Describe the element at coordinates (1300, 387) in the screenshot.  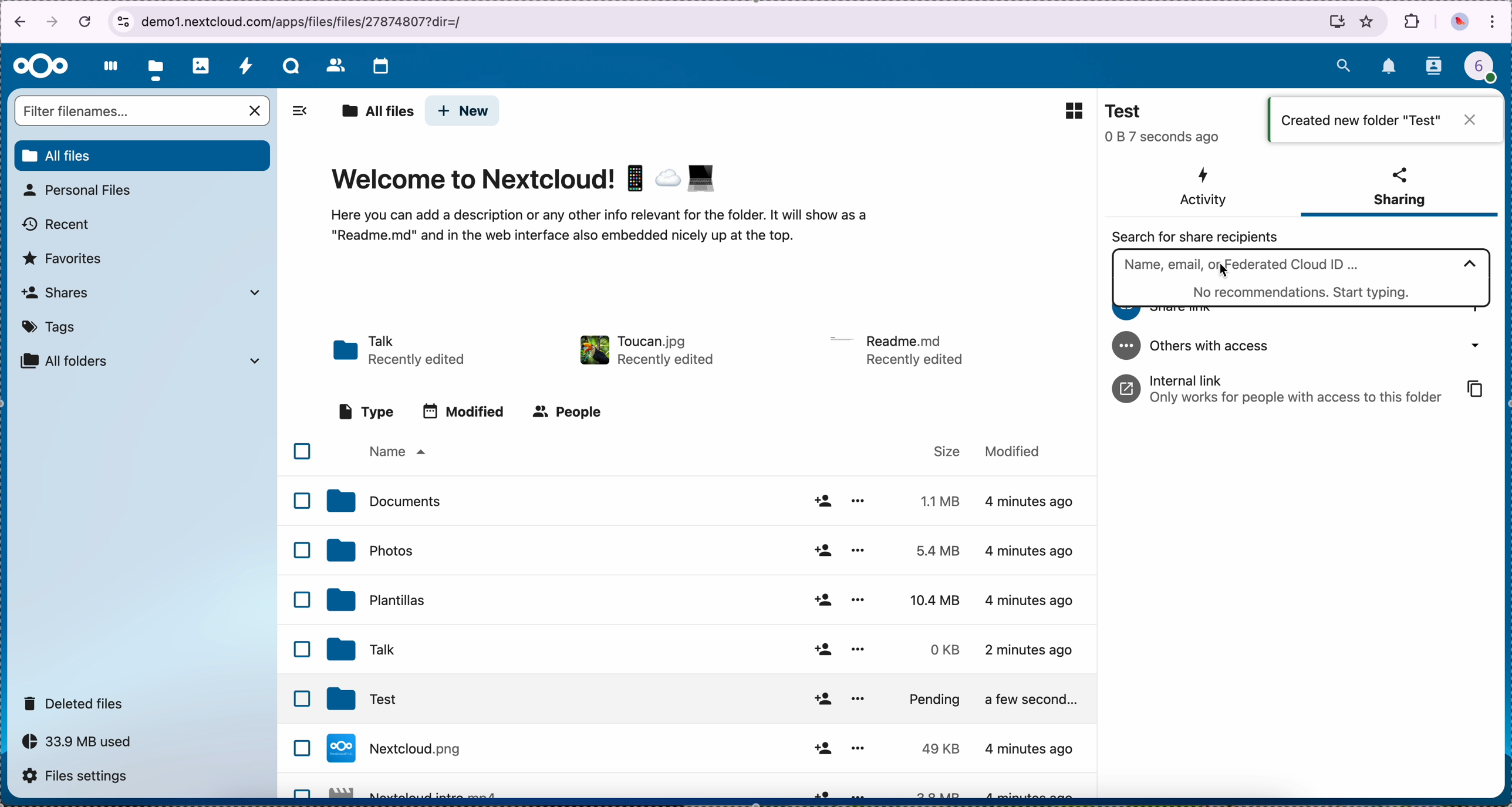
I see `internal link` at that location.